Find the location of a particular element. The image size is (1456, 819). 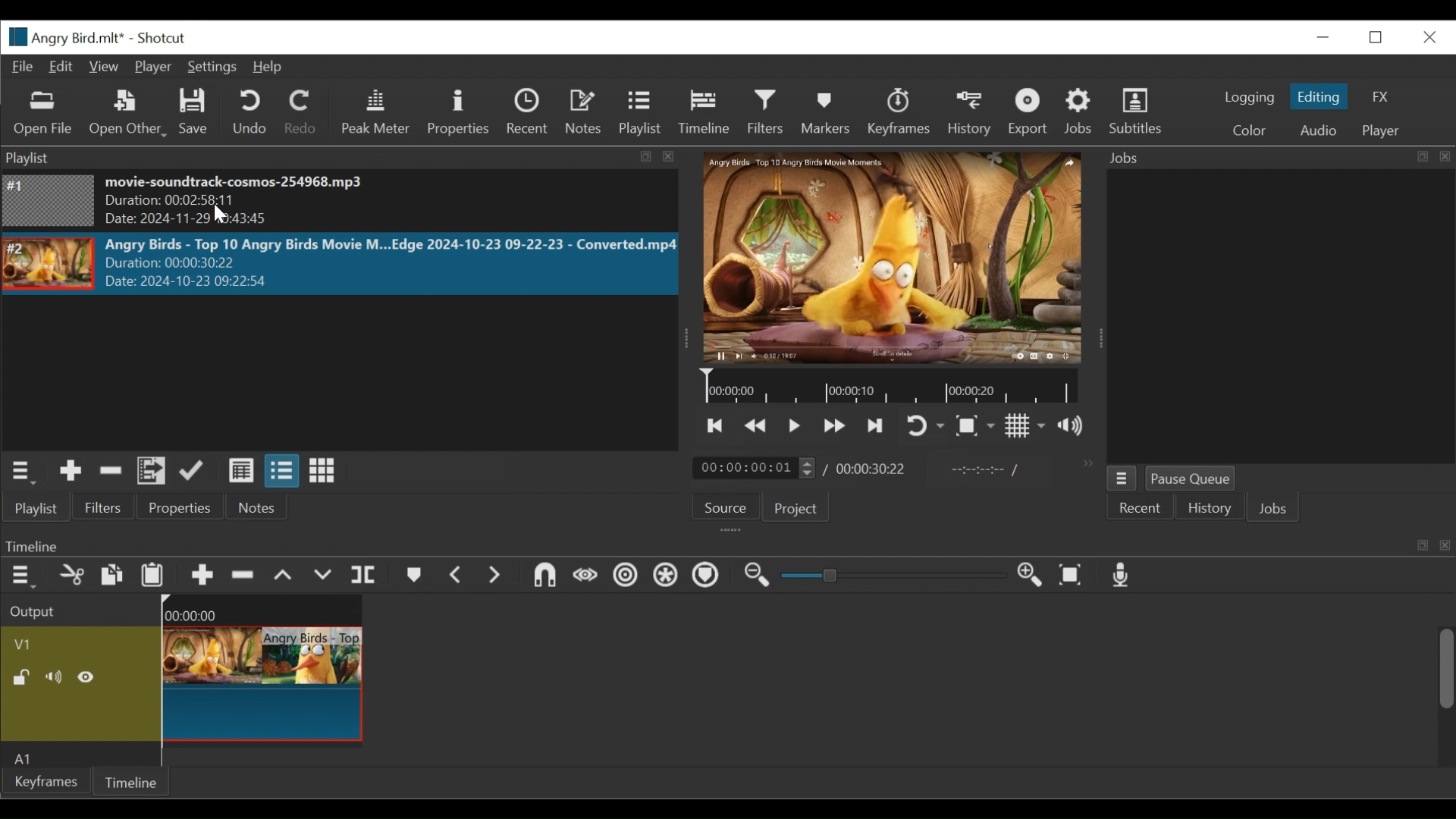

Hide is located at coordinates (88, 678).